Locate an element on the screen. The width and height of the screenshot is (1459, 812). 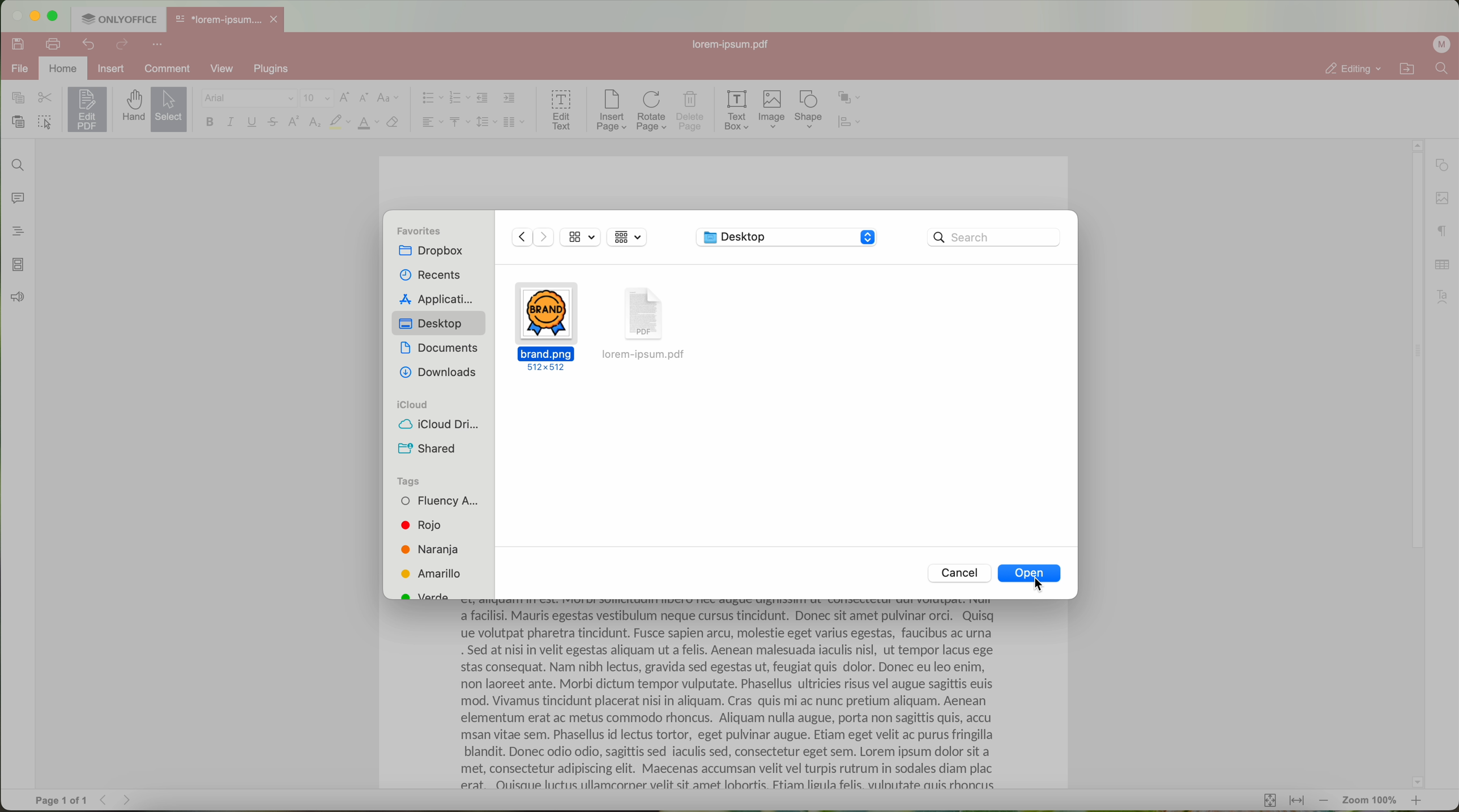
comments is located at coordinates (15, 196).